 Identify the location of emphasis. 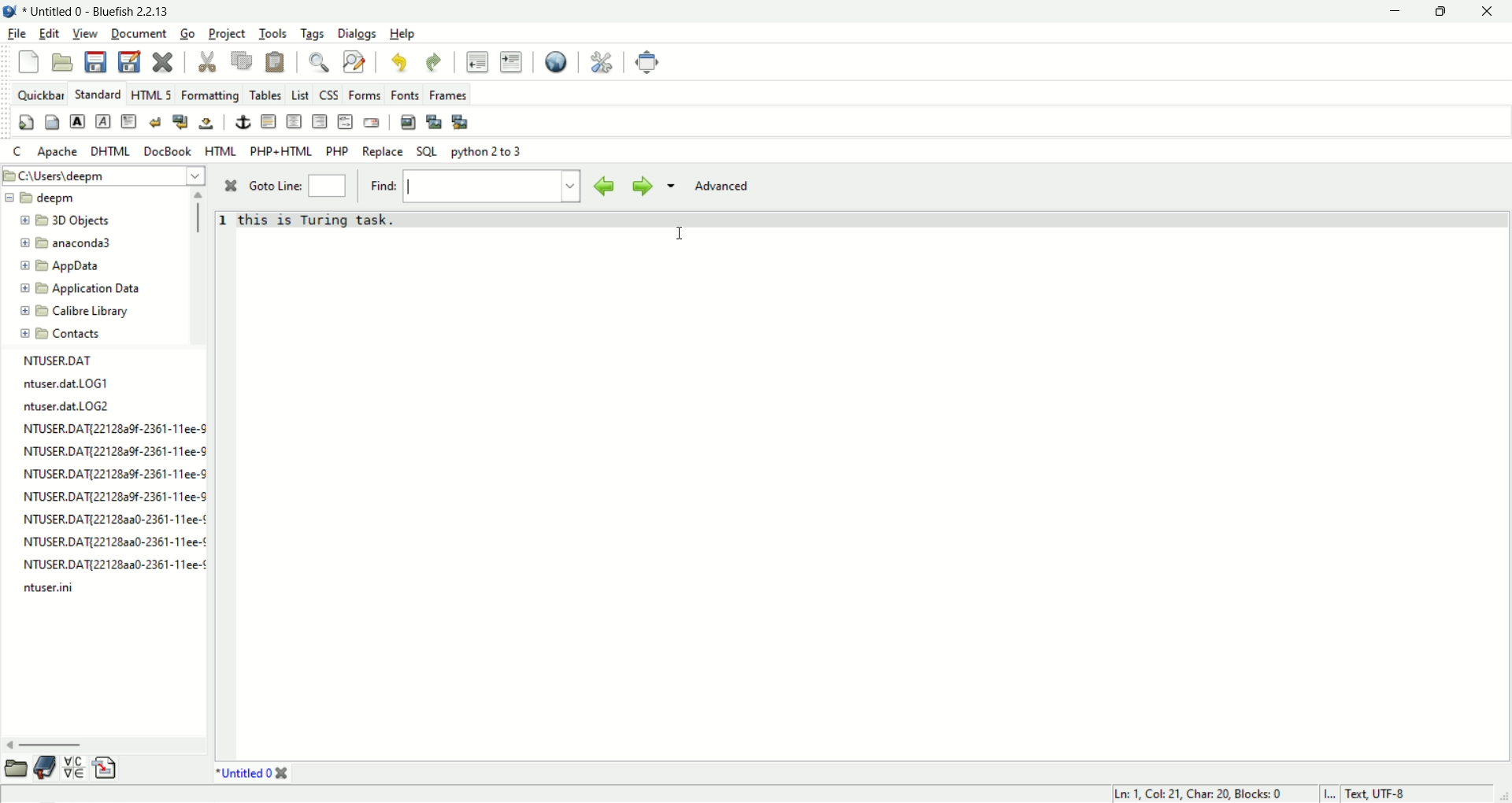
(105, 122).